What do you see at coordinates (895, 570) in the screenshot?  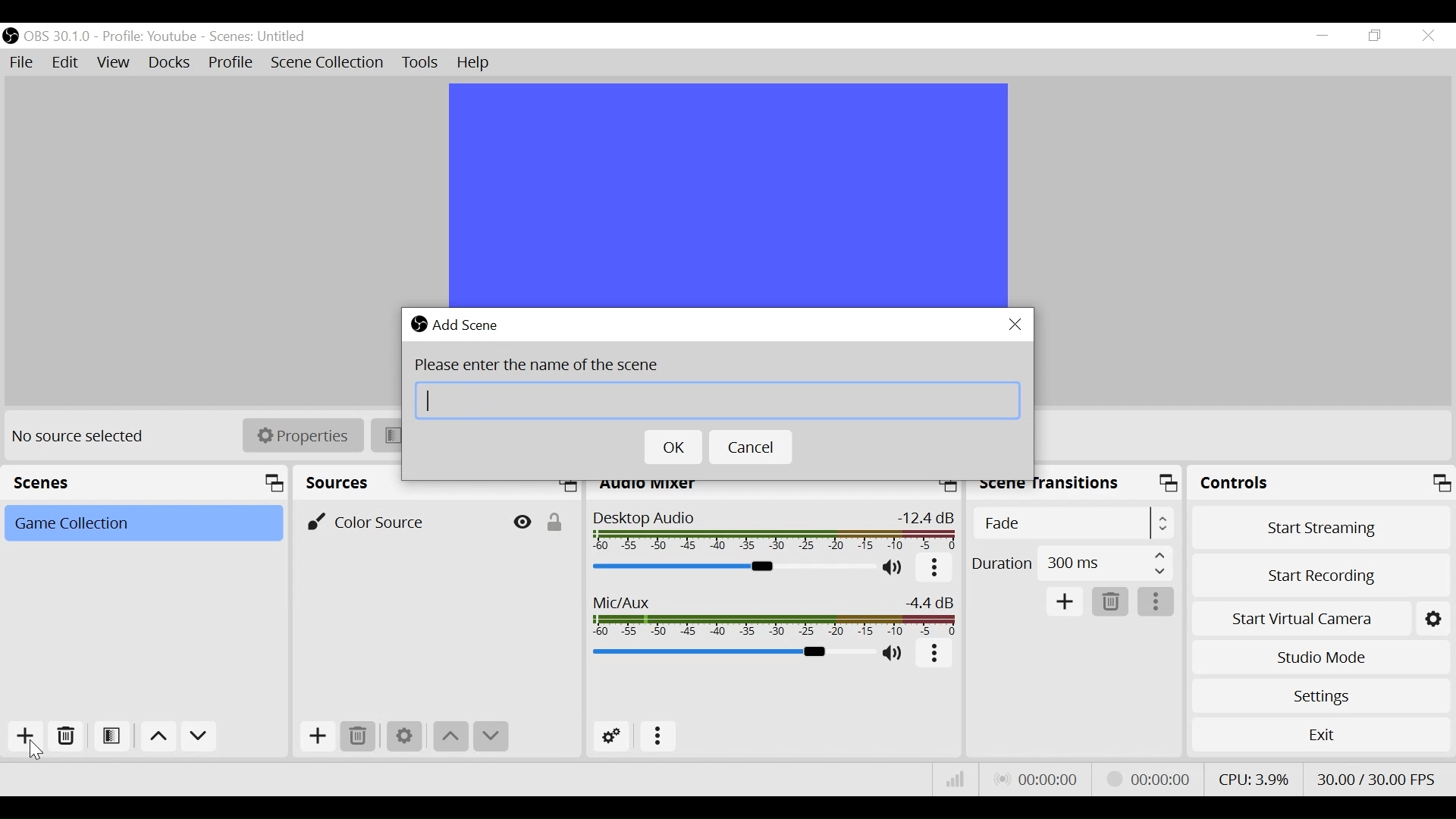 I see `(un)mute` at bounding box center [895, 570].